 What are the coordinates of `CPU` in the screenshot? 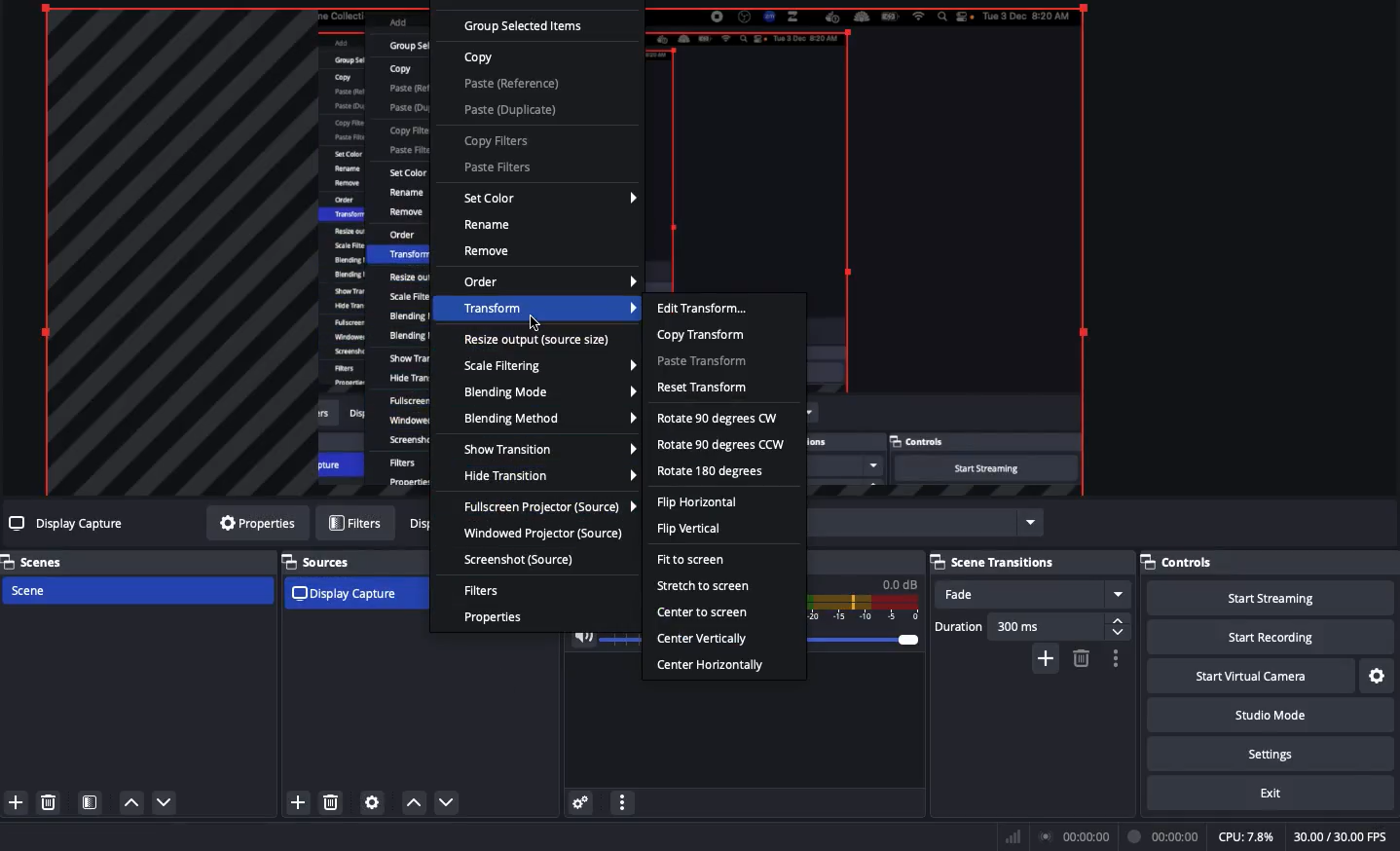 It's located at (1245, 837).